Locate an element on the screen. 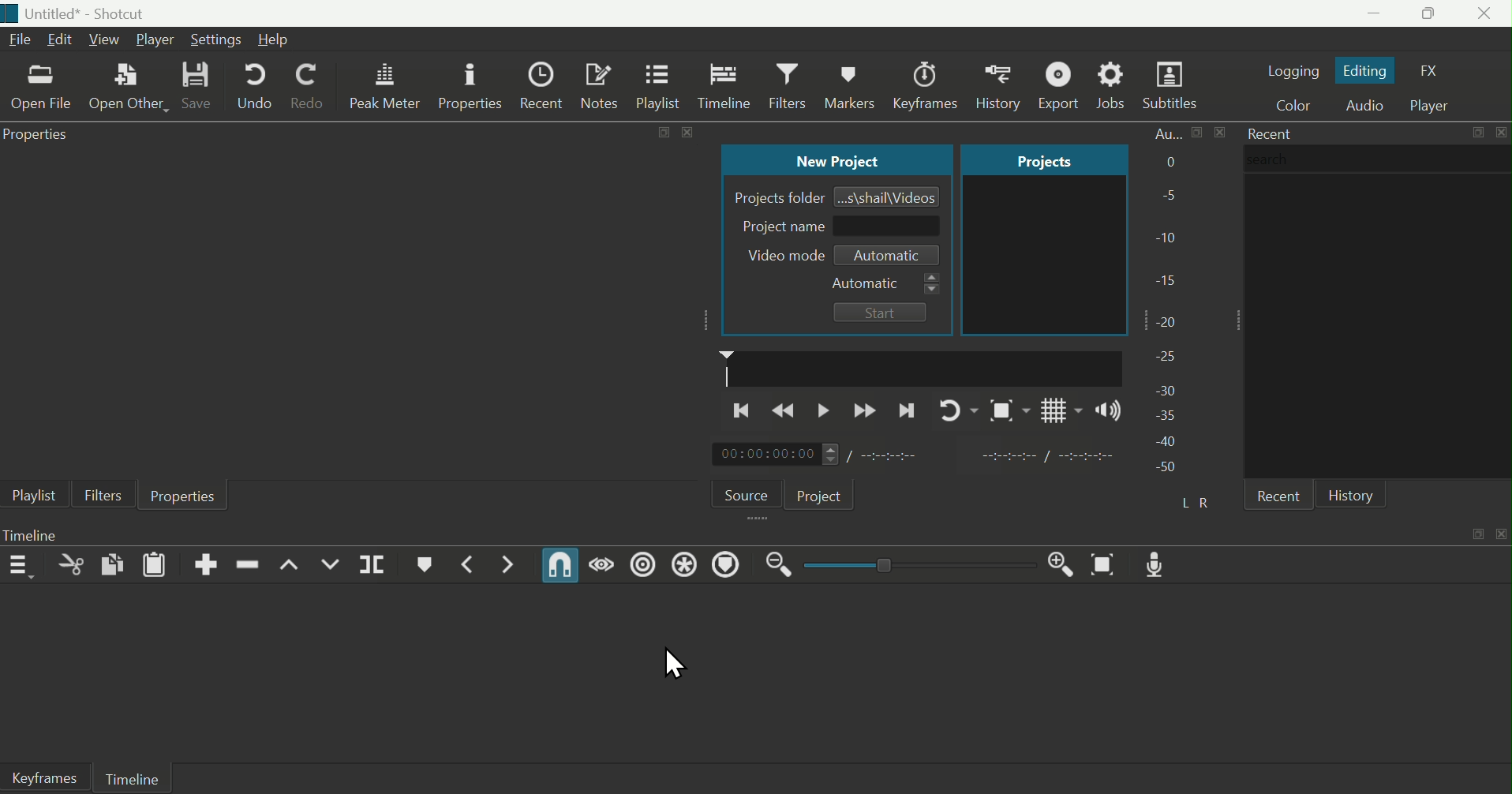  Forward is located at coordinates (866, 409).